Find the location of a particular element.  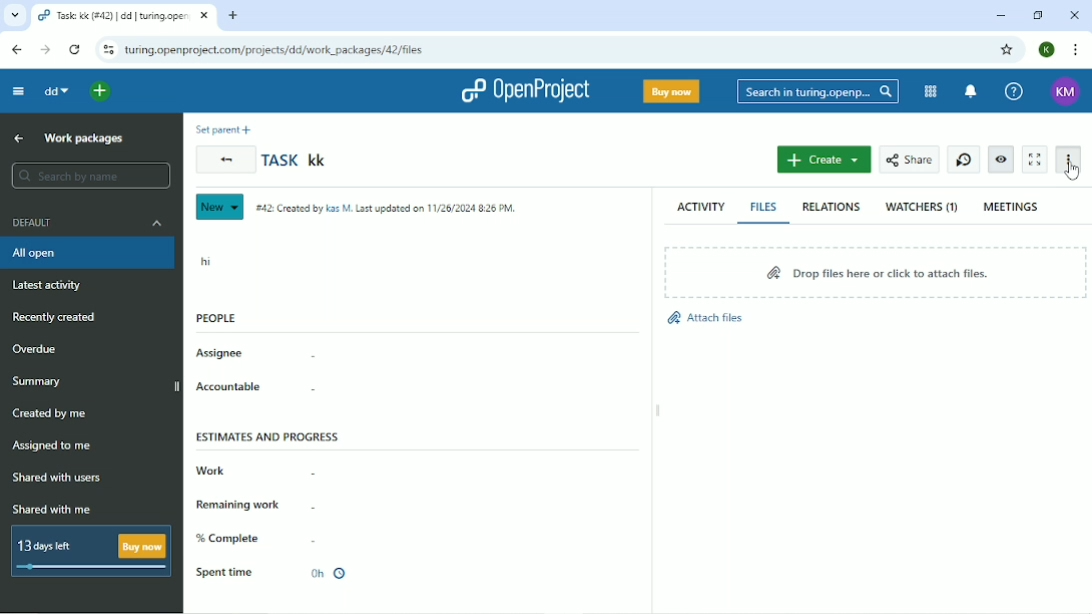

Default is located at coordinates (87, 223).